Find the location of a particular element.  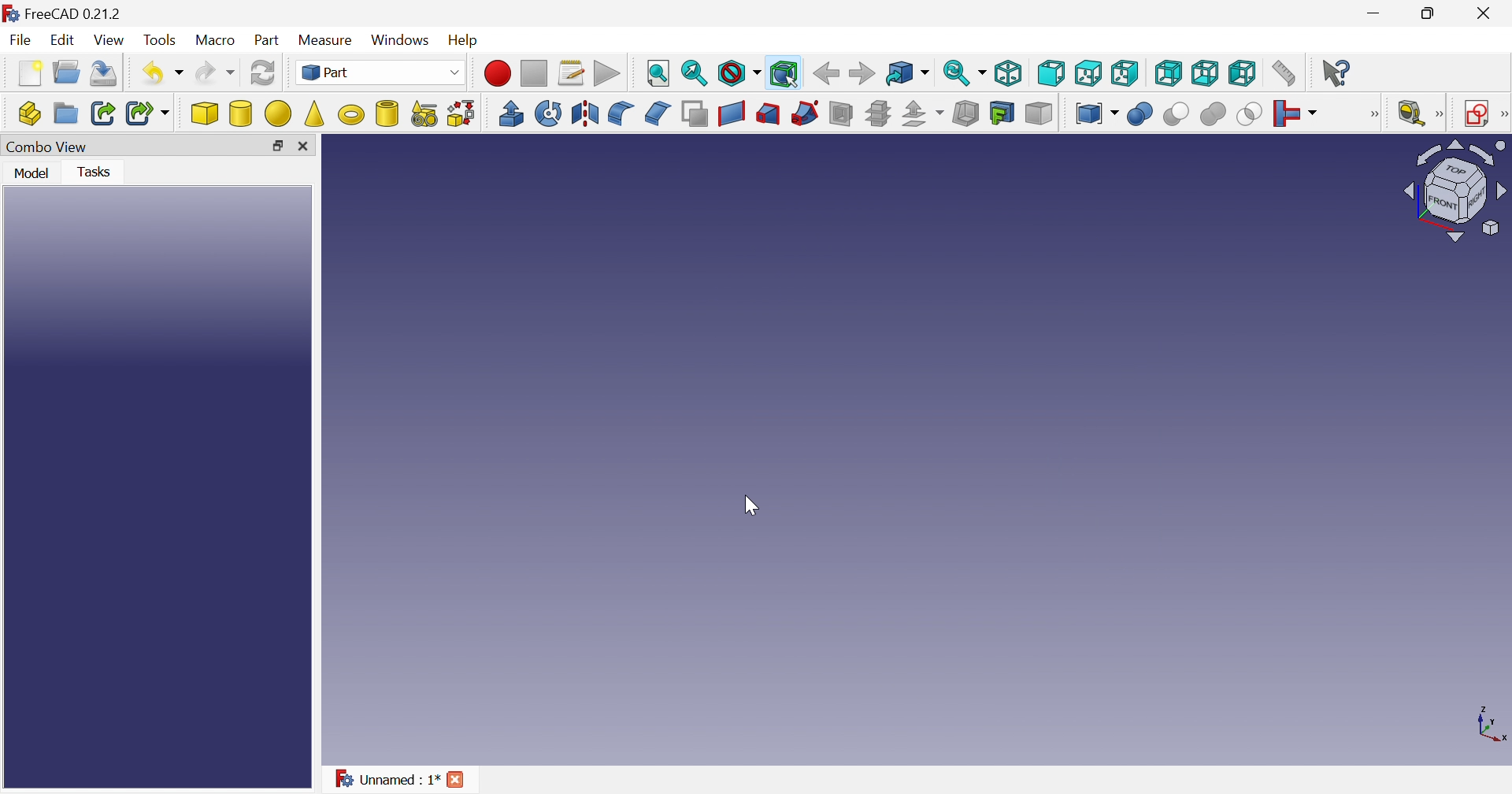

Restore down is located at coordinates (277, 149).